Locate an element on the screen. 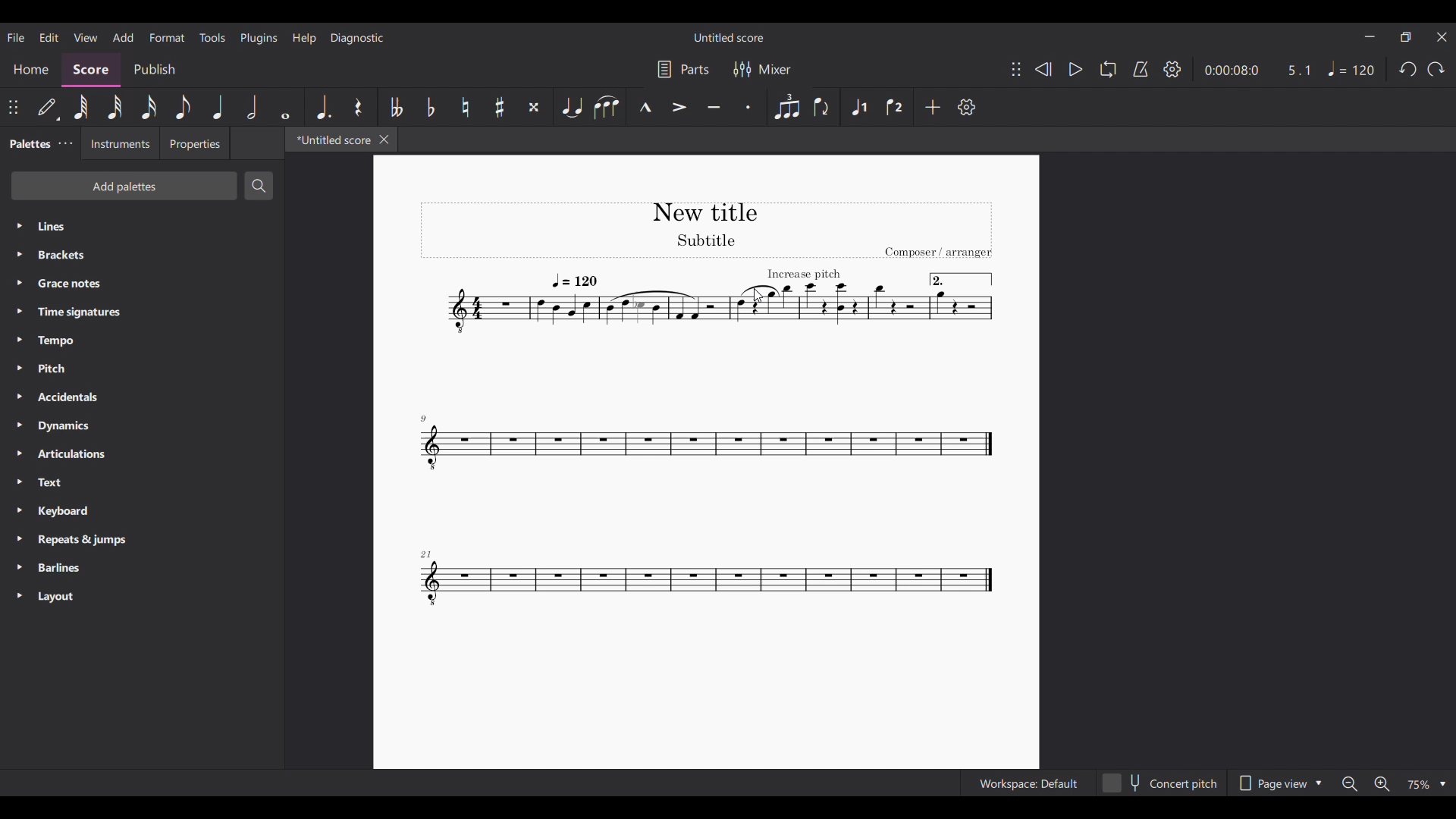 Image resolution: width=1456 pixels, height=819 pixels. Rest is located at coordinates (359, 107).